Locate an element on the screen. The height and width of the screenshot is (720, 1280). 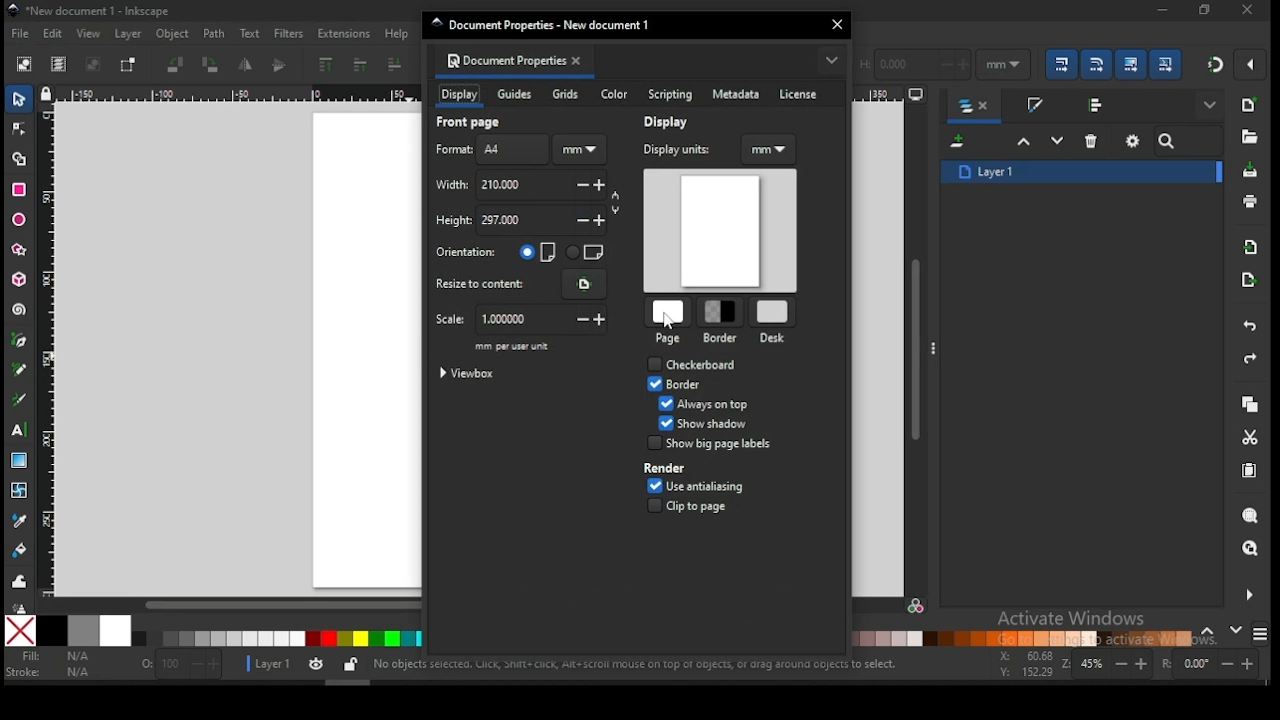
more options is located at coordinates (831, 60).